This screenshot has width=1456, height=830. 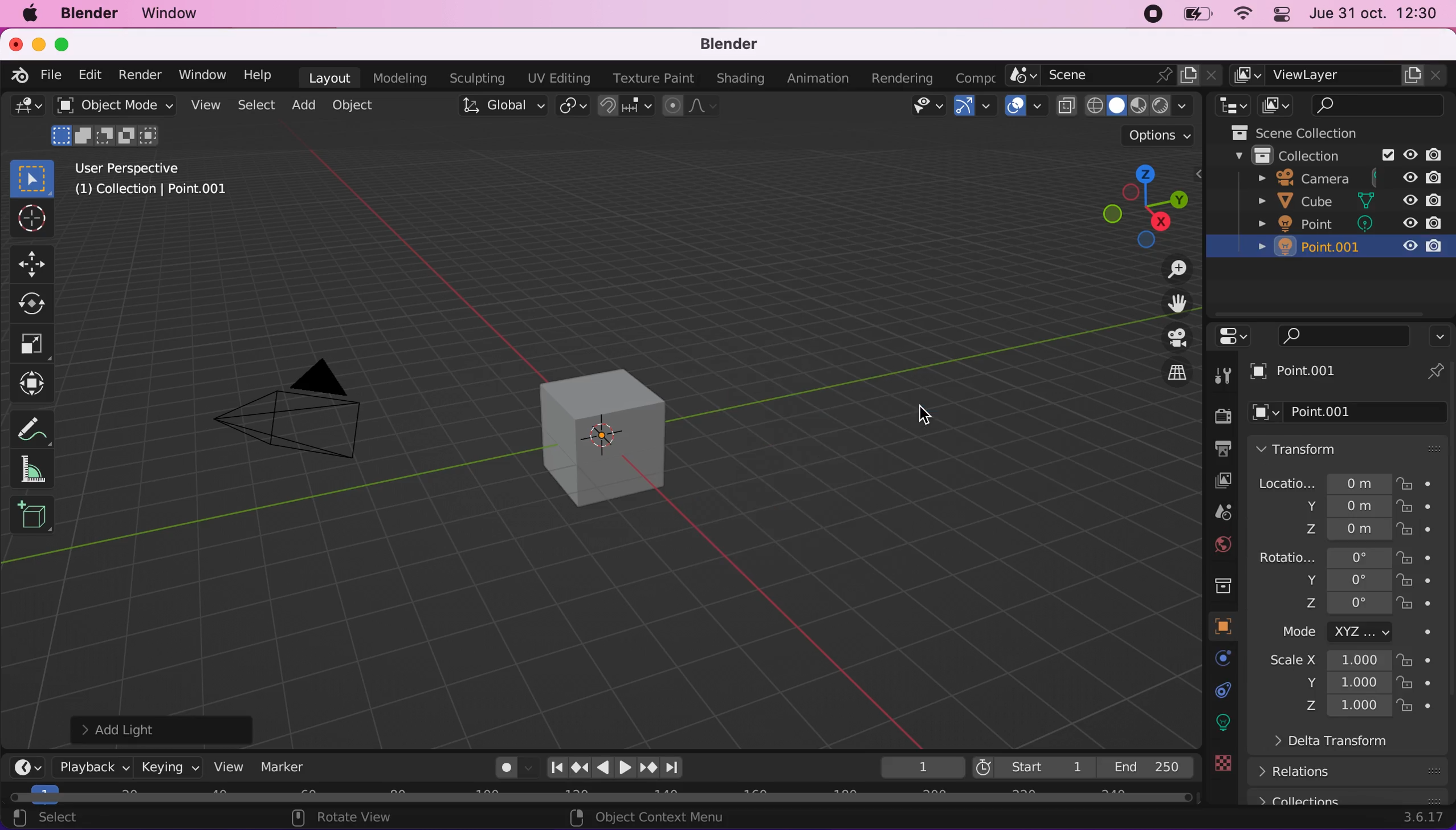 I want to click on texture, so click(x=1224, y=763).